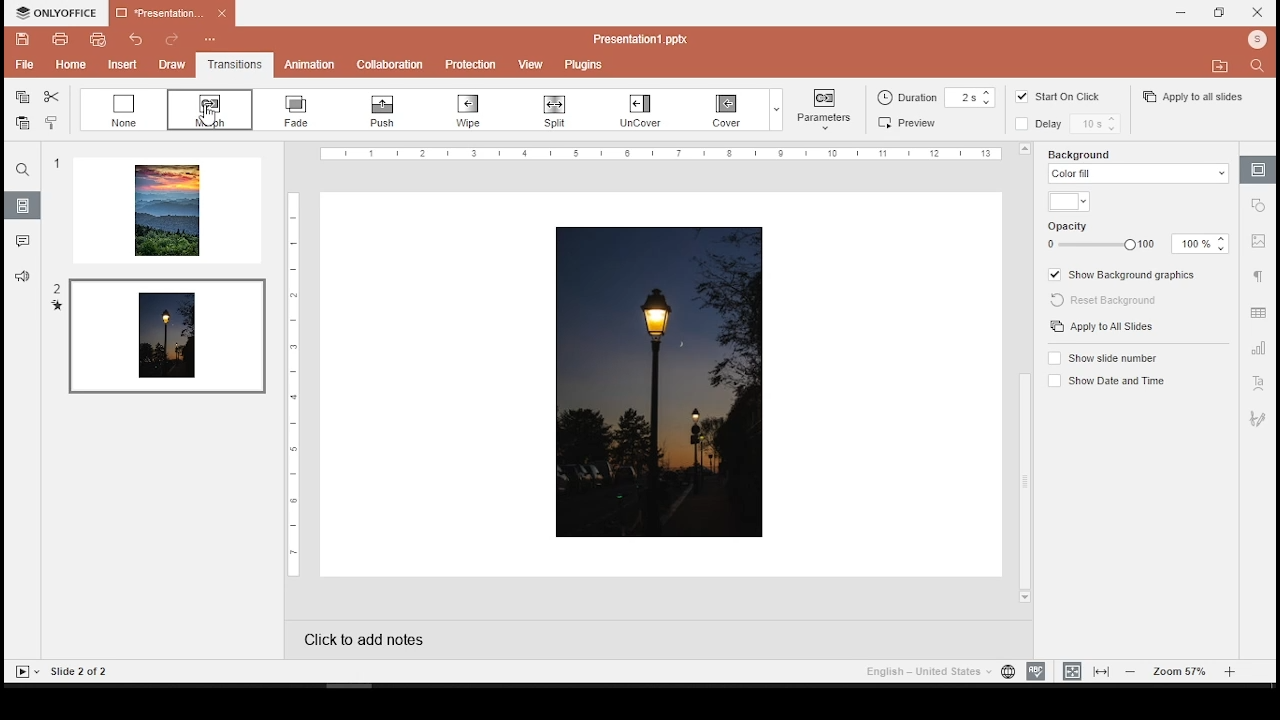  What do you see at coordinates (1260, 276) in the screenshot?
I see `paragraph settings` at bounding box center [1260, 276].